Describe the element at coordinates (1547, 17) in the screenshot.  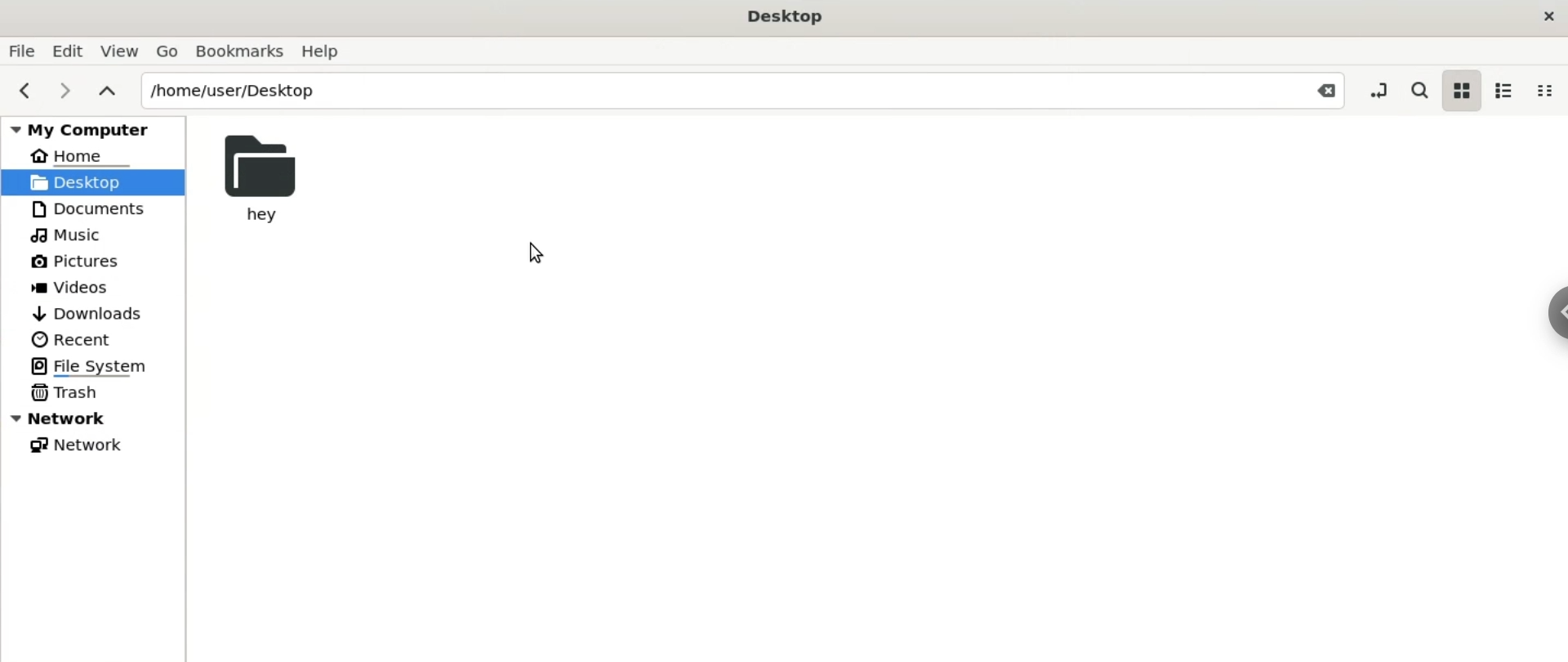
I see `close` at that location.